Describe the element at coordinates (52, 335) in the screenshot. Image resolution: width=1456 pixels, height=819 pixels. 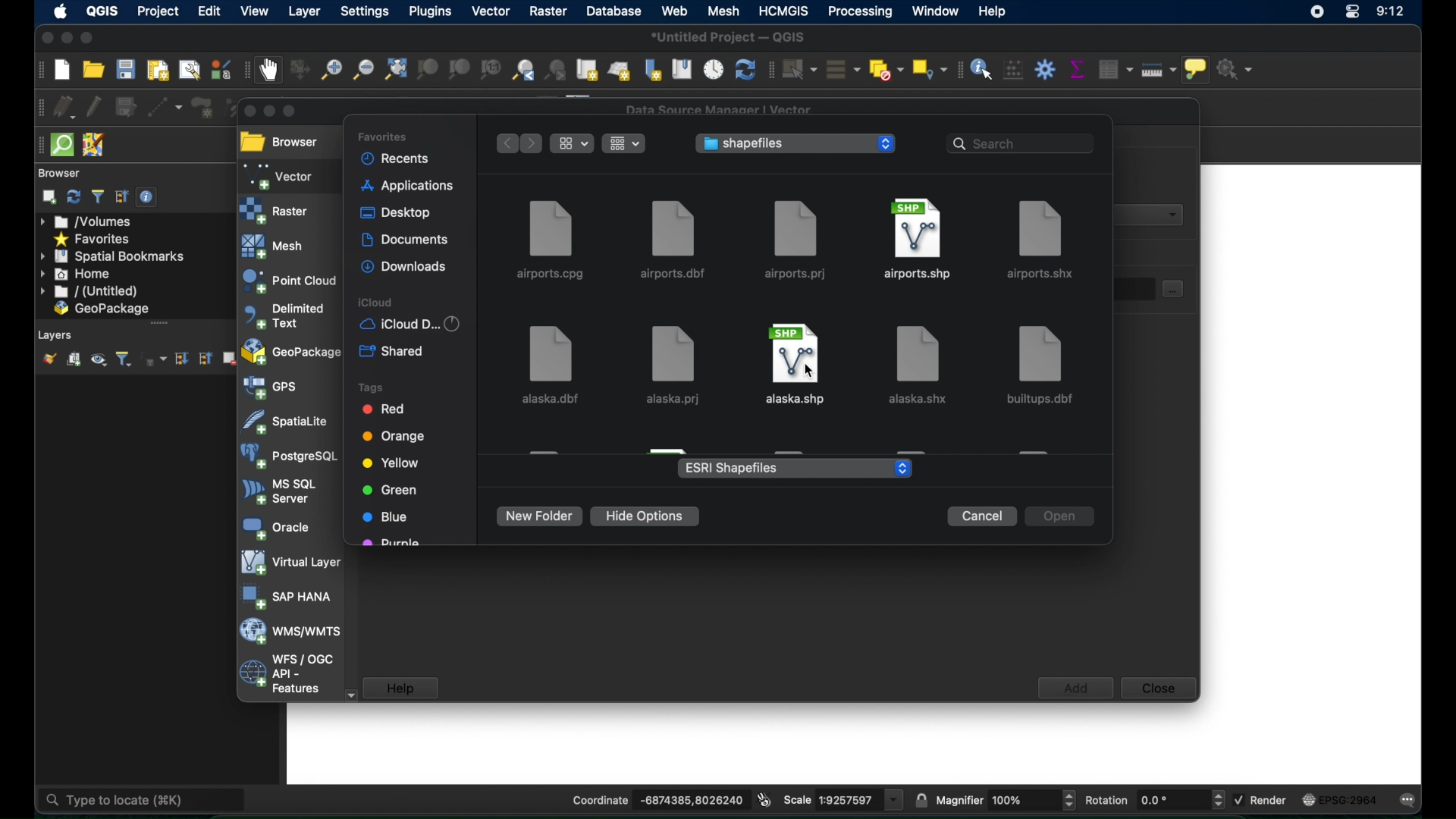
I see `Layers` at that location.